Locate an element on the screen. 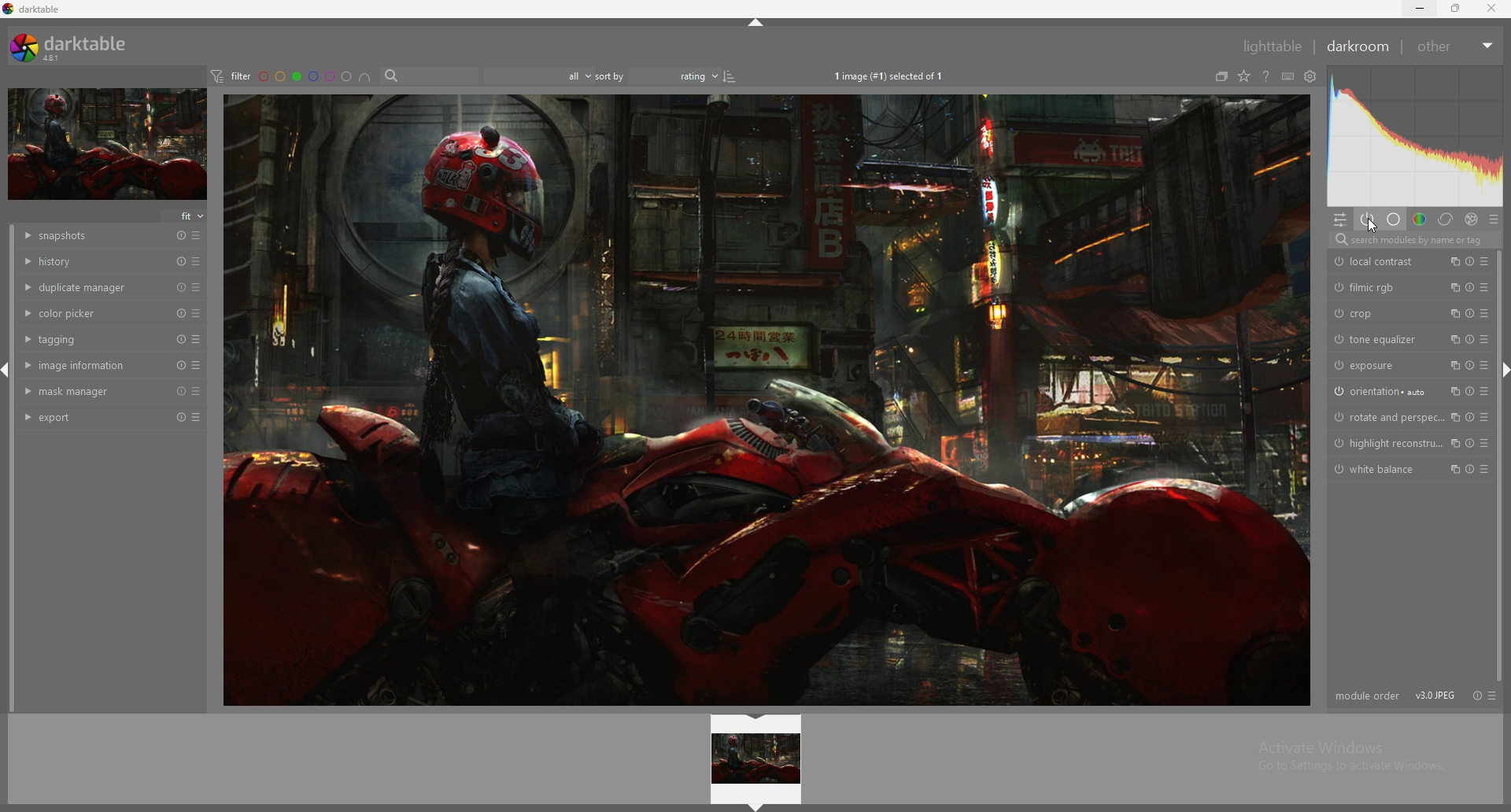  minimize is located at coordinates (1420, 7).